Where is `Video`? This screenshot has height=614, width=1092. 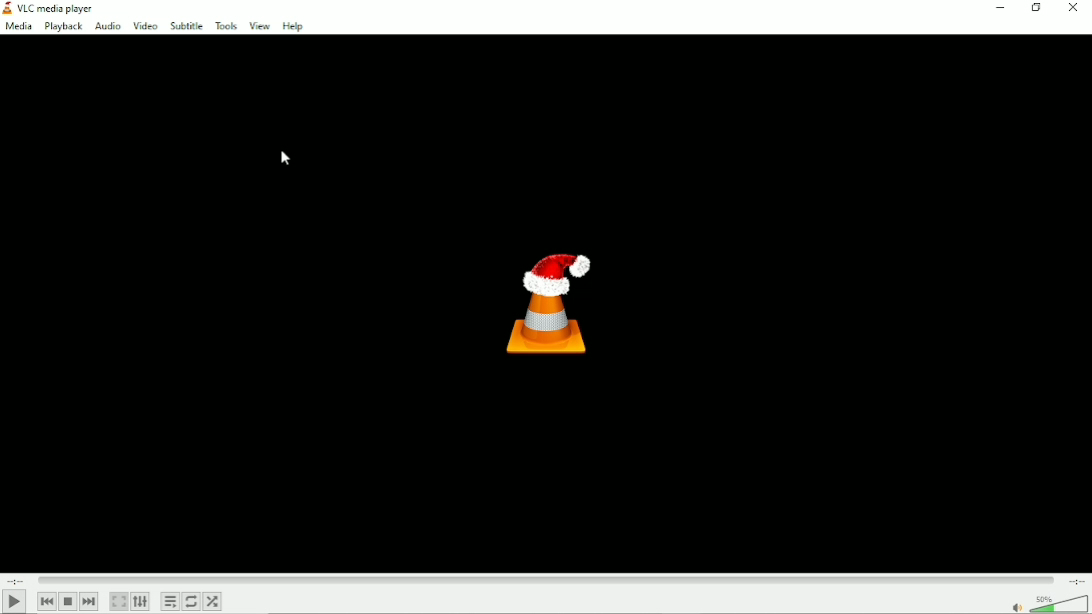 Video is located at coordinates (145, 25).